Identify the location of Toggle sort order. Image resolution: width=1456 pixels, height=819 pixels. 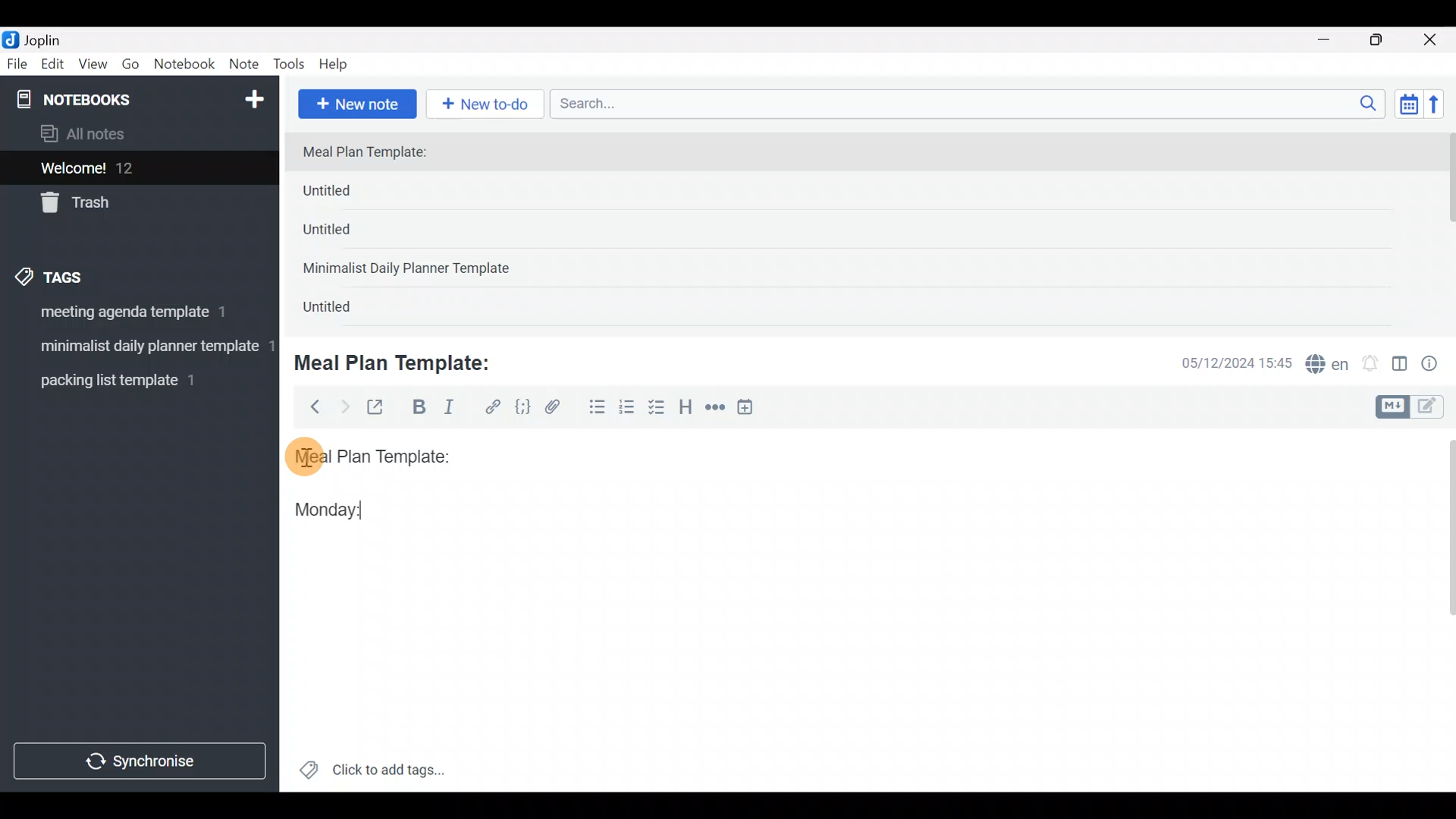
(1408, 105).